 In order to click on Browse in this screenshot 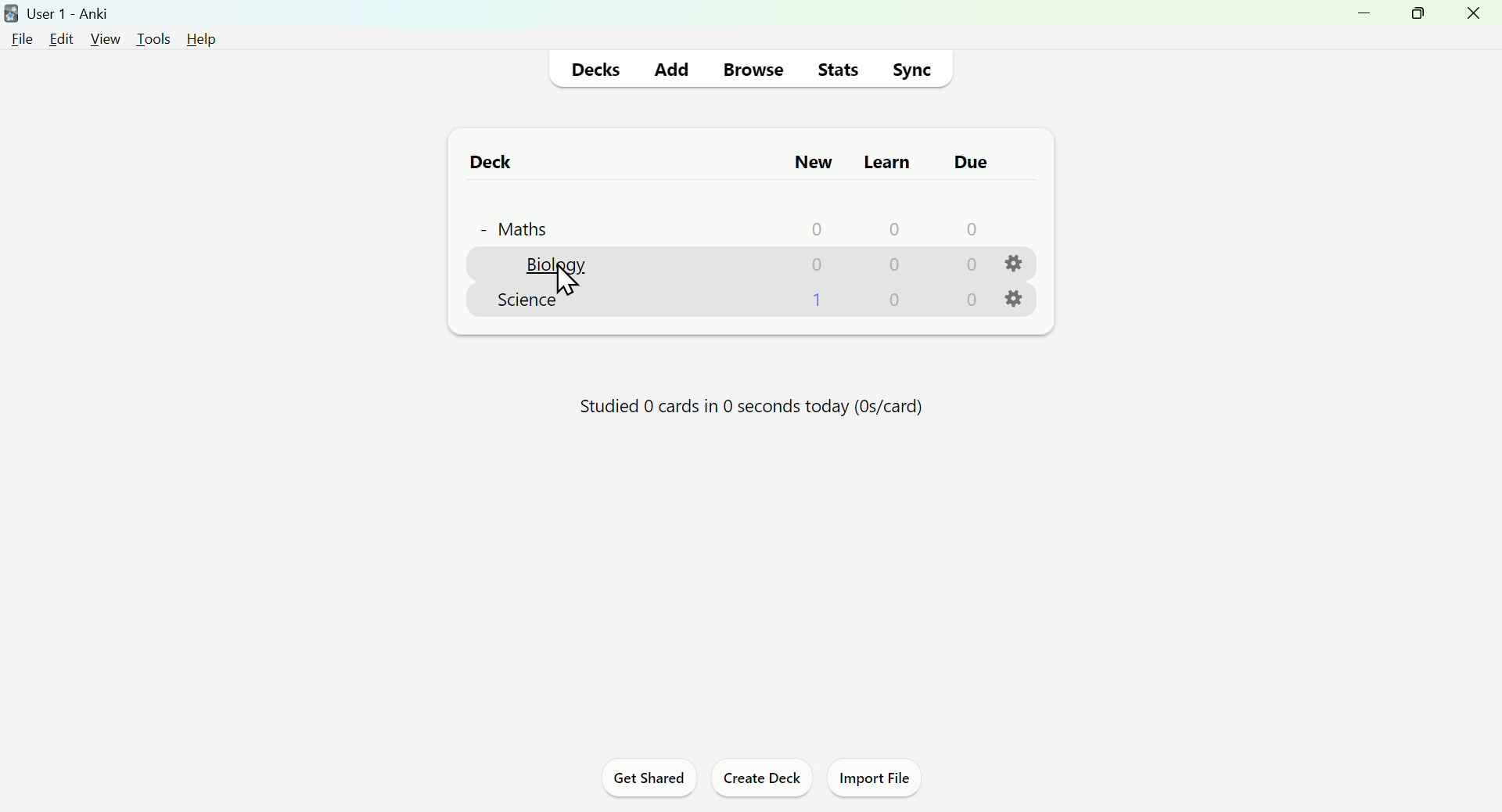, I will do `click(749, 71)`.